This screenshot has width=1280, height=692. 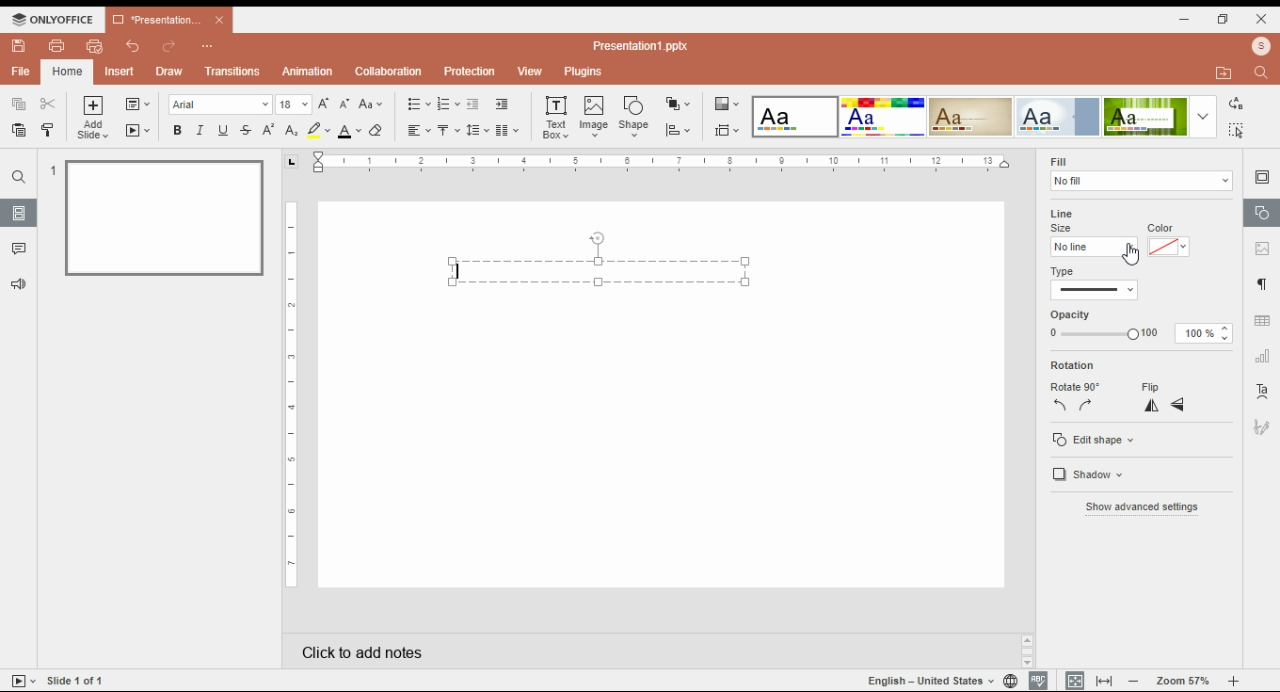 I want to click on columns, so click(x=509, y=130).